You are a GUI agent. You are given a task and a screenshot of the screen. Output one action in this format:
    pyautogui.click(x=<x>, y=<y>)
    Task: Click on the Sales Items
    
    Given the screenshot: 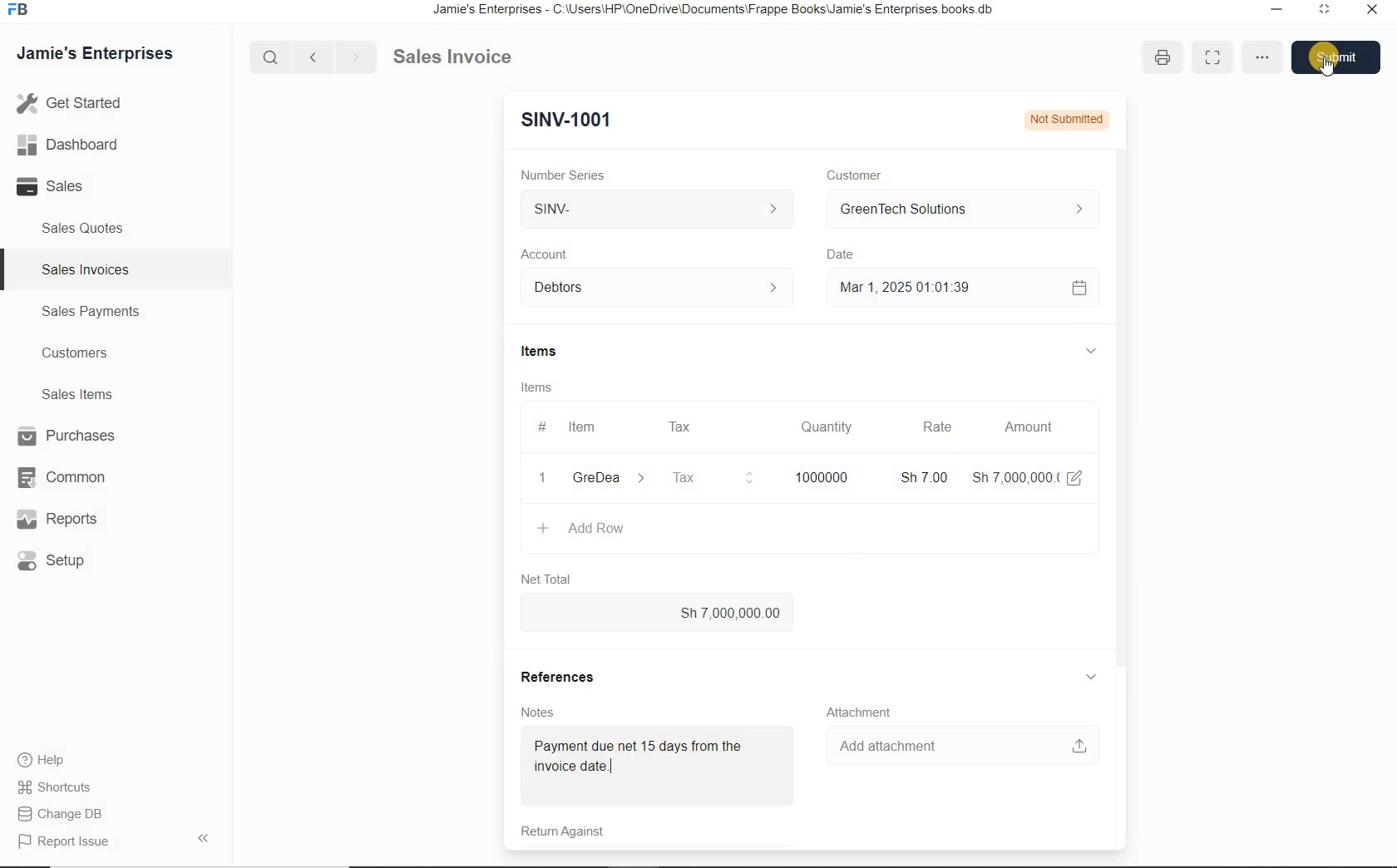 What is the action you would take?
    pyautogui.click(x=73, y=394)
    